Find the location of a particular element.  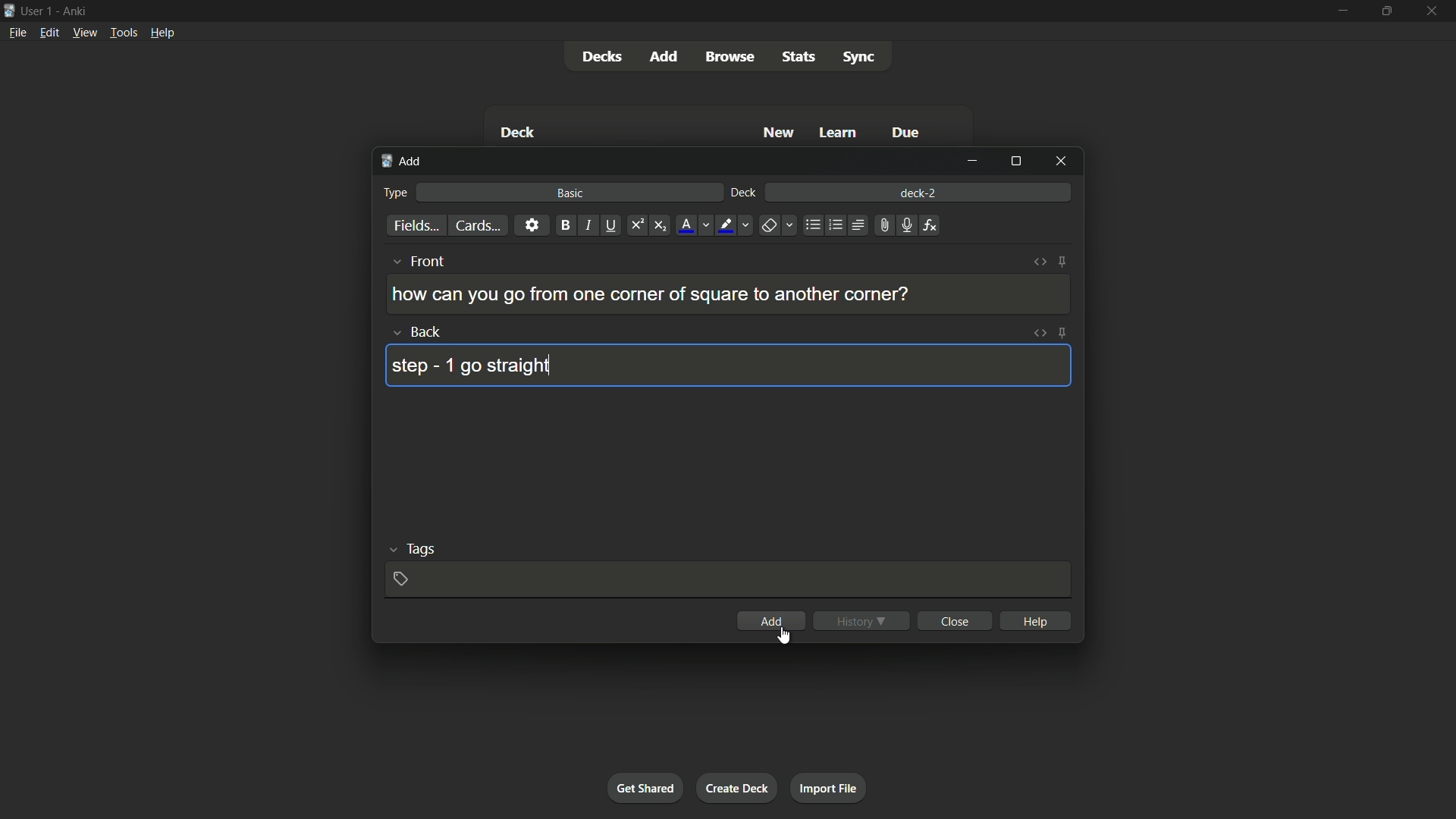

app name is located at coordinates (75, 11).